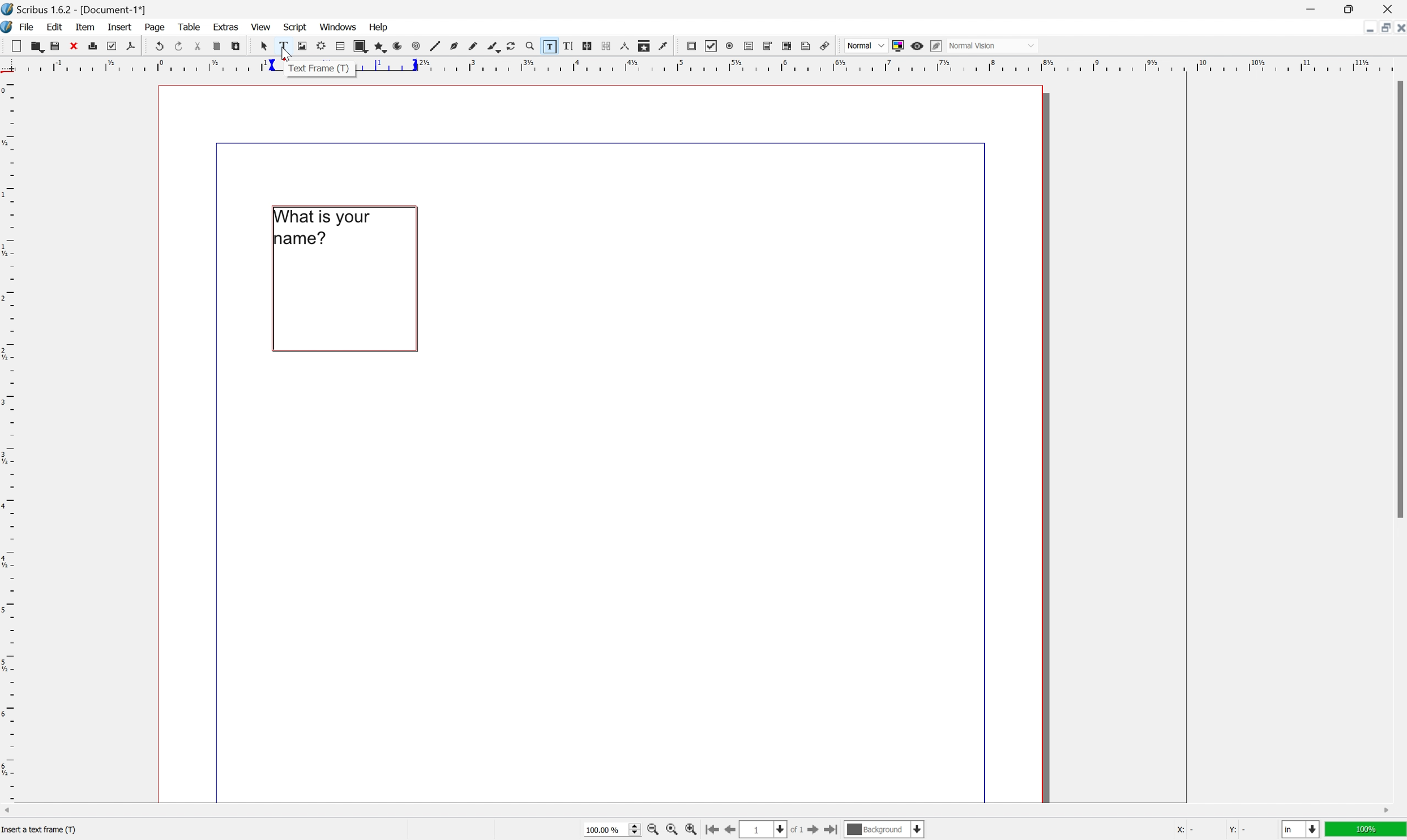 The width and height of the screenshot is (1407, 840). I want to click on page, so click(156, 27).